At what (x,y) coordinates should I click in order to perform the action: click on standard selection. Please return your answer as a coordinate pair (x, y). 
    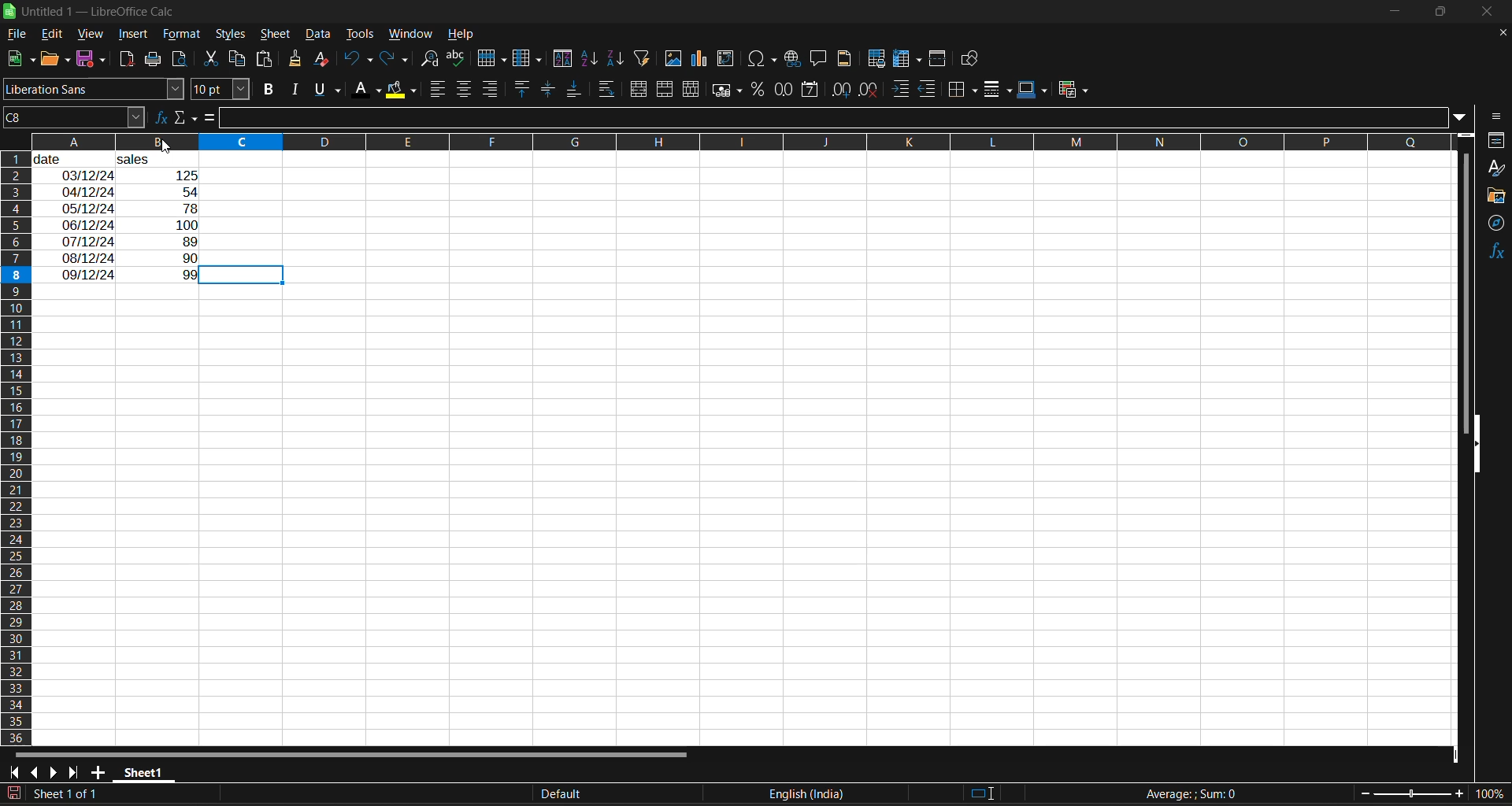
    Looking at the image, I should click on (983, 793).